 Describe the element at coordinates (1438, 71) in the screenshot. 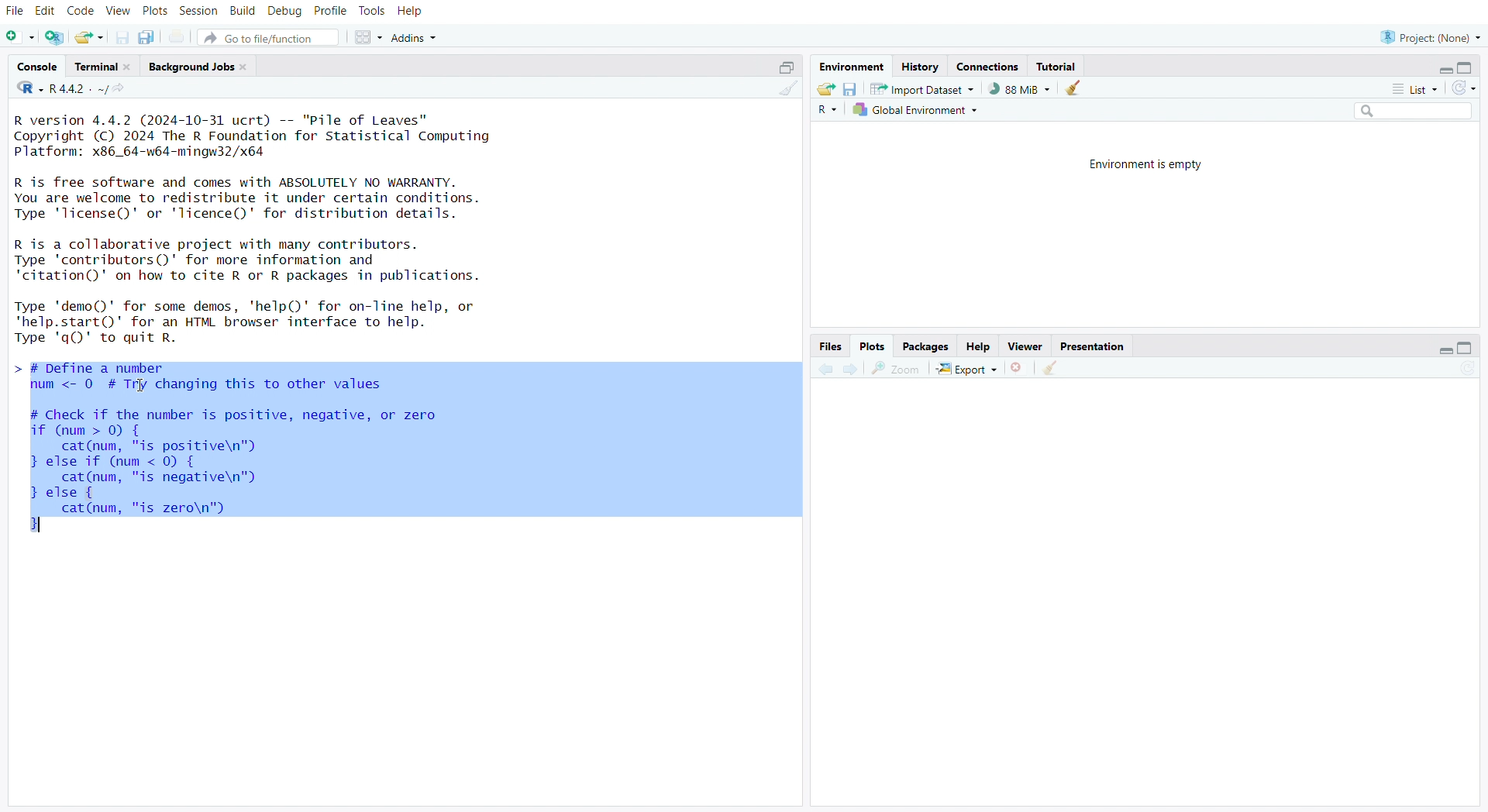

I see `expand` at that location.